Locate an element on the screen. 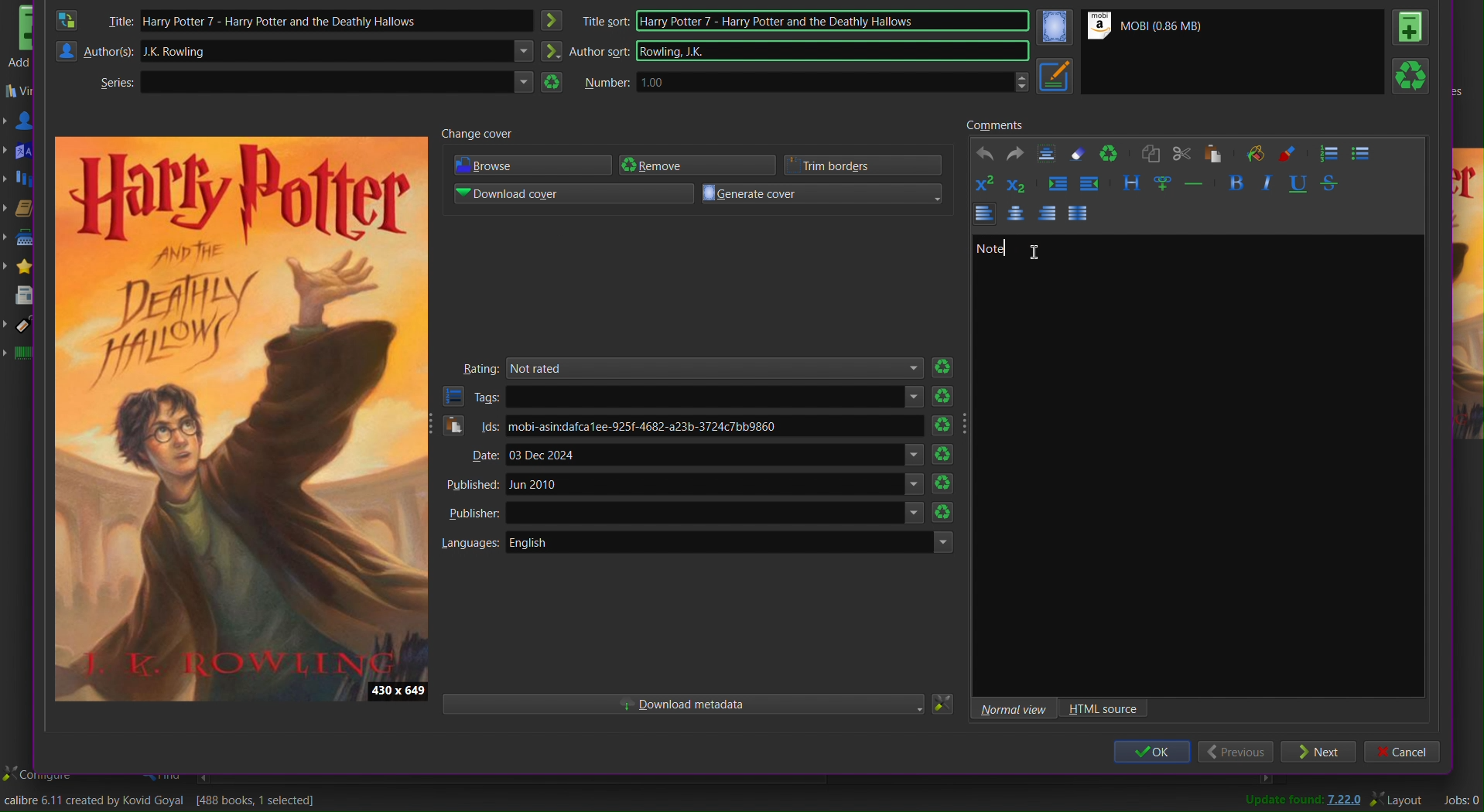  Number  is located at coordinates (607, 82).